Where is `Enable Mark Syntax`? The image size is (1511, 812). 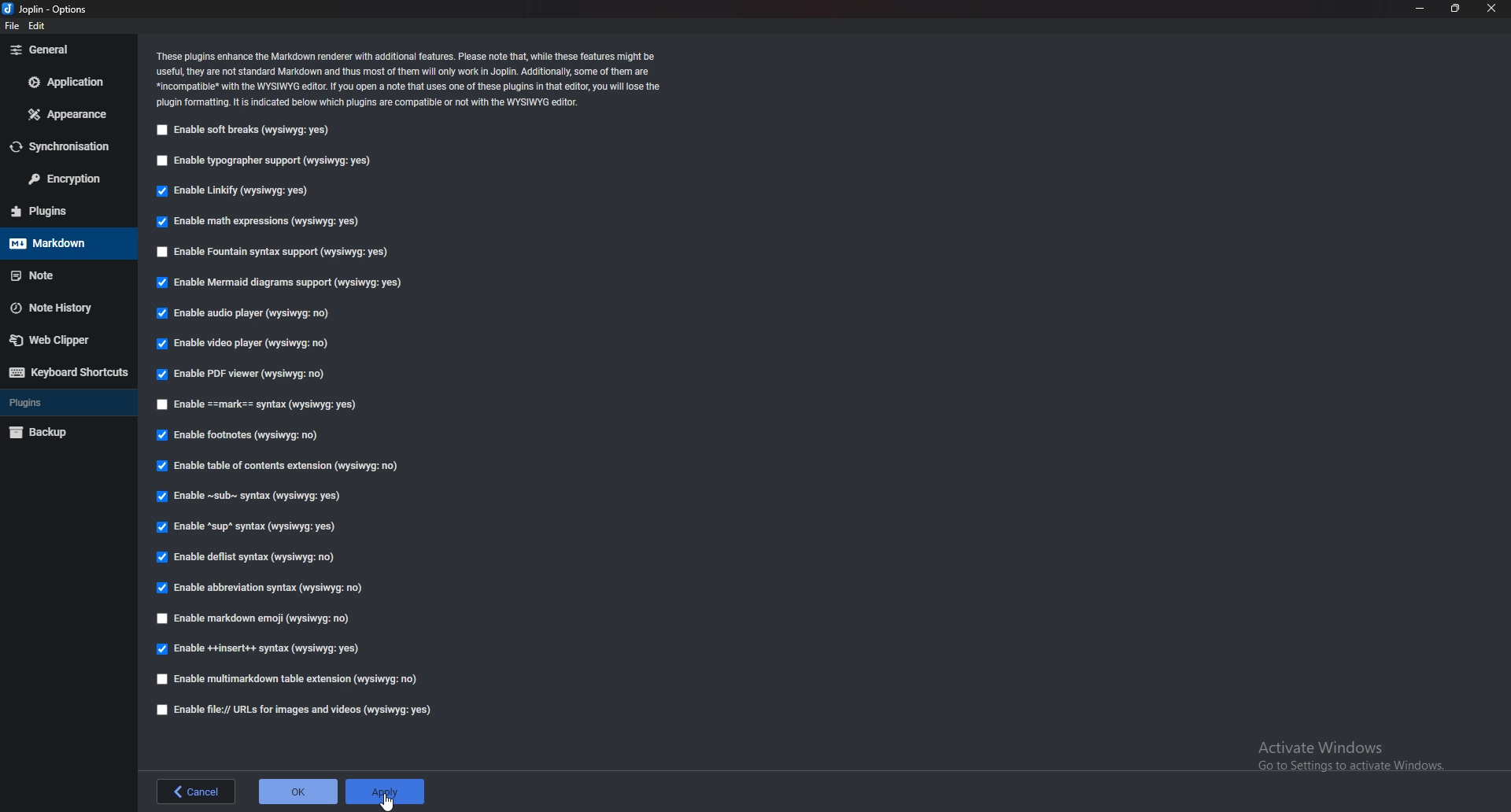
Enable Mark Syntax is located at coordinates (269, 405).